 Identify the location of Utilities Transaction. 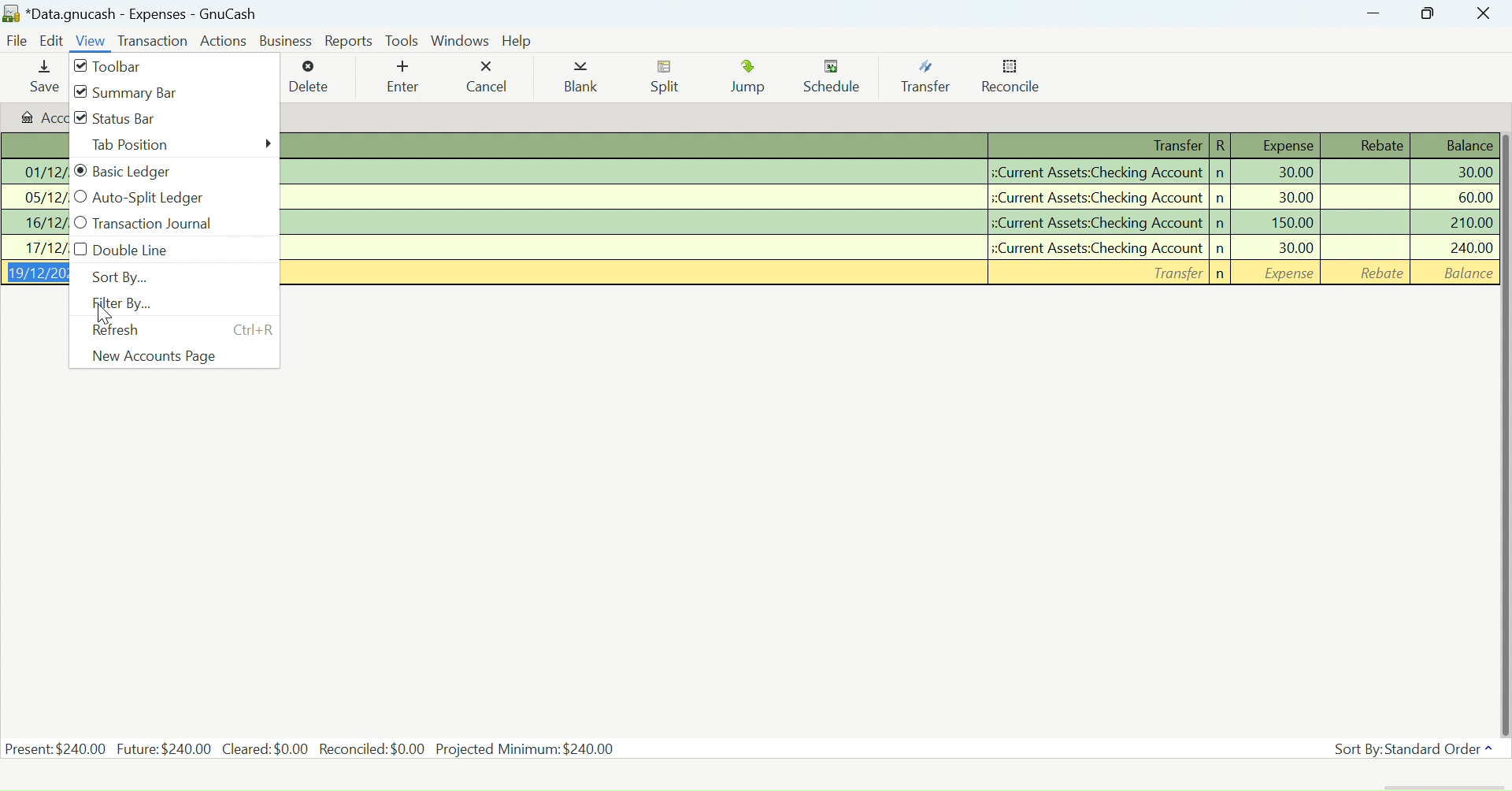
(888, 223).